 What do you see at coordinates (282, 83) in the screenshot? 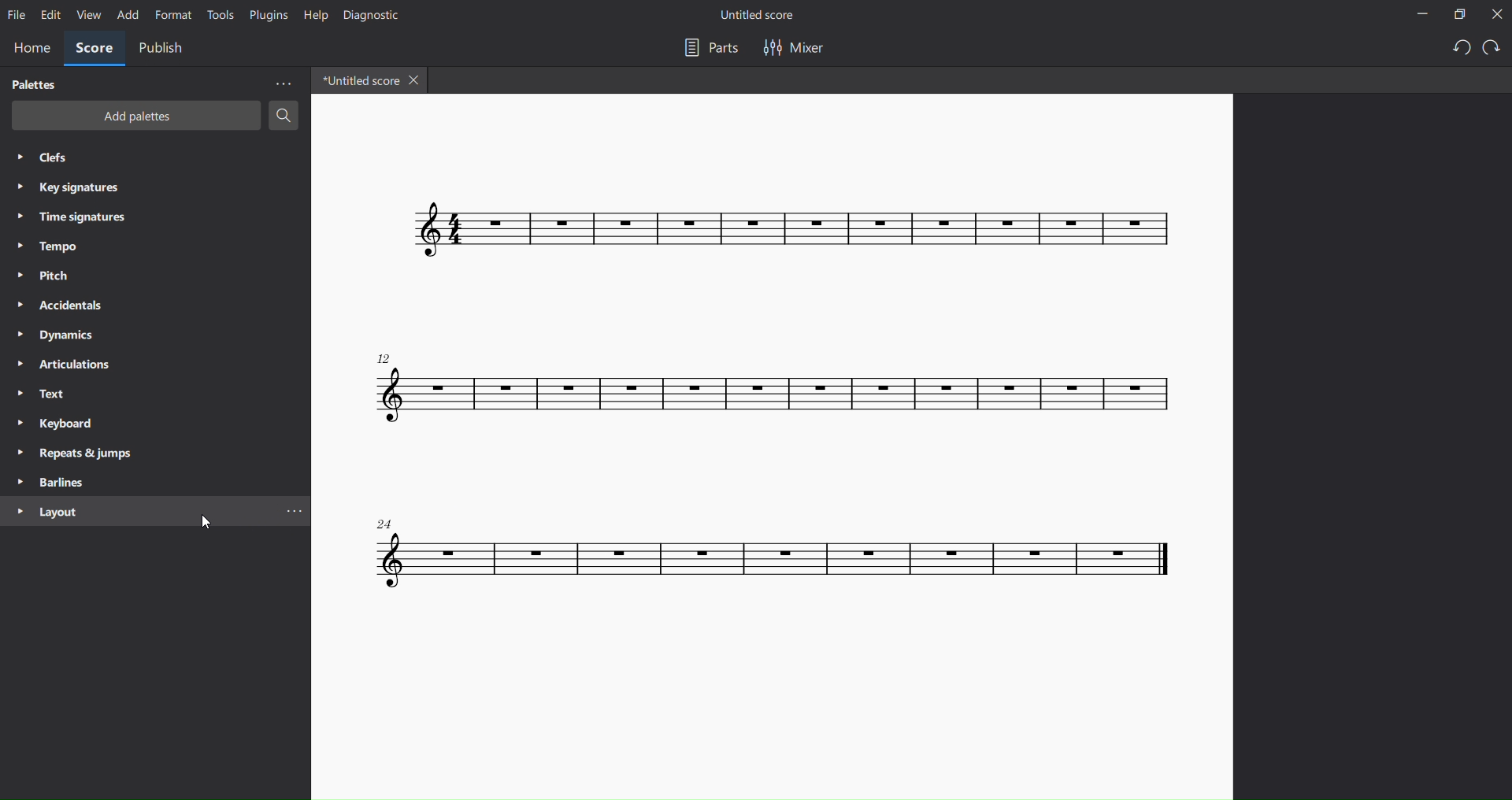
I see `more` at bounding box center [282, 83].